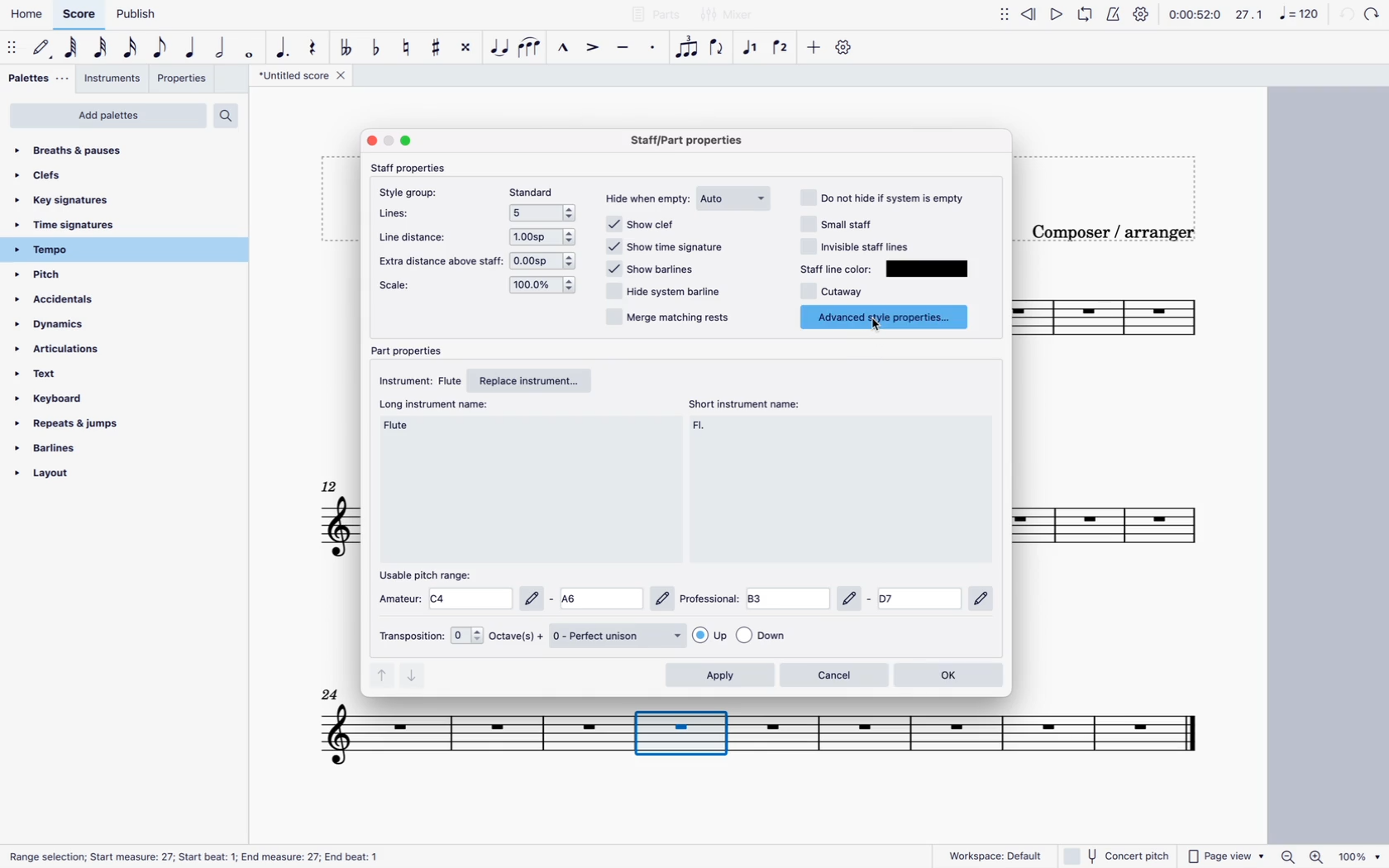 The height and width of the screenshot is (868, 1389). What do you see at coordinates (229, 116) in the screenshot?
I see `search` at bounding box center [229, 116].